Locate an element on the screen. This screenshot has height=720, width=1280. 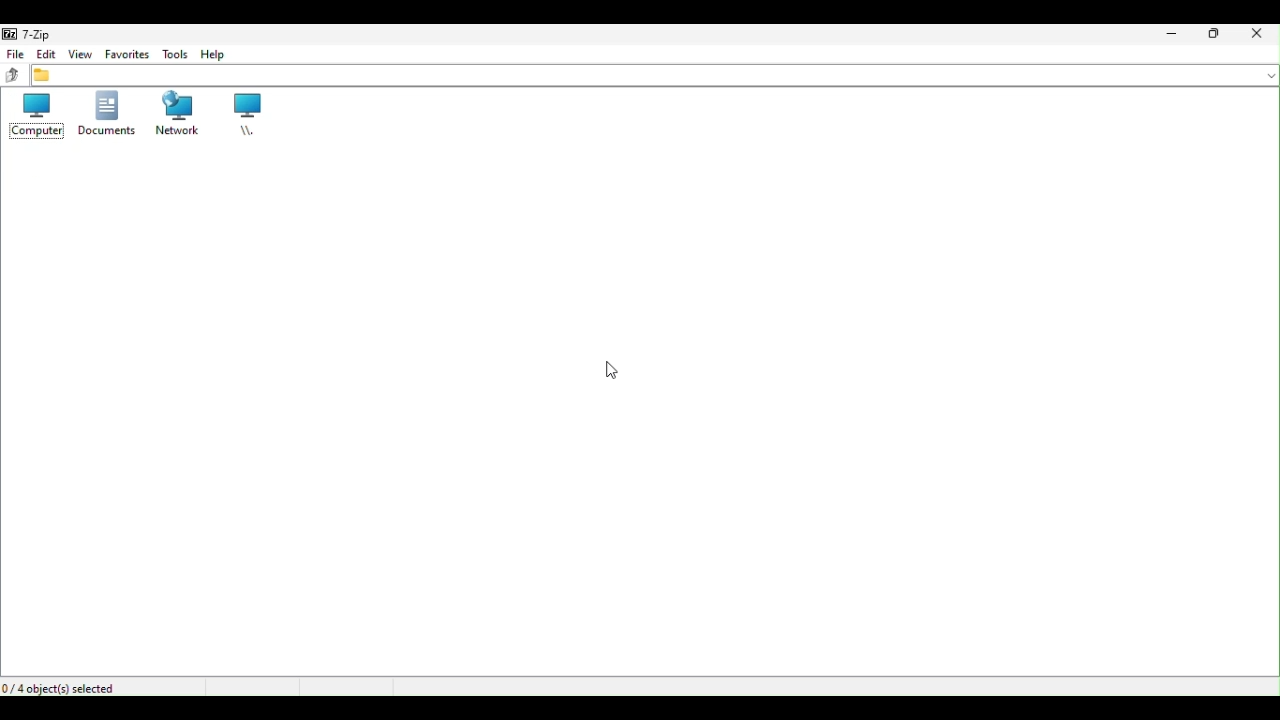
File address bar is located at coordinates (655, 75).